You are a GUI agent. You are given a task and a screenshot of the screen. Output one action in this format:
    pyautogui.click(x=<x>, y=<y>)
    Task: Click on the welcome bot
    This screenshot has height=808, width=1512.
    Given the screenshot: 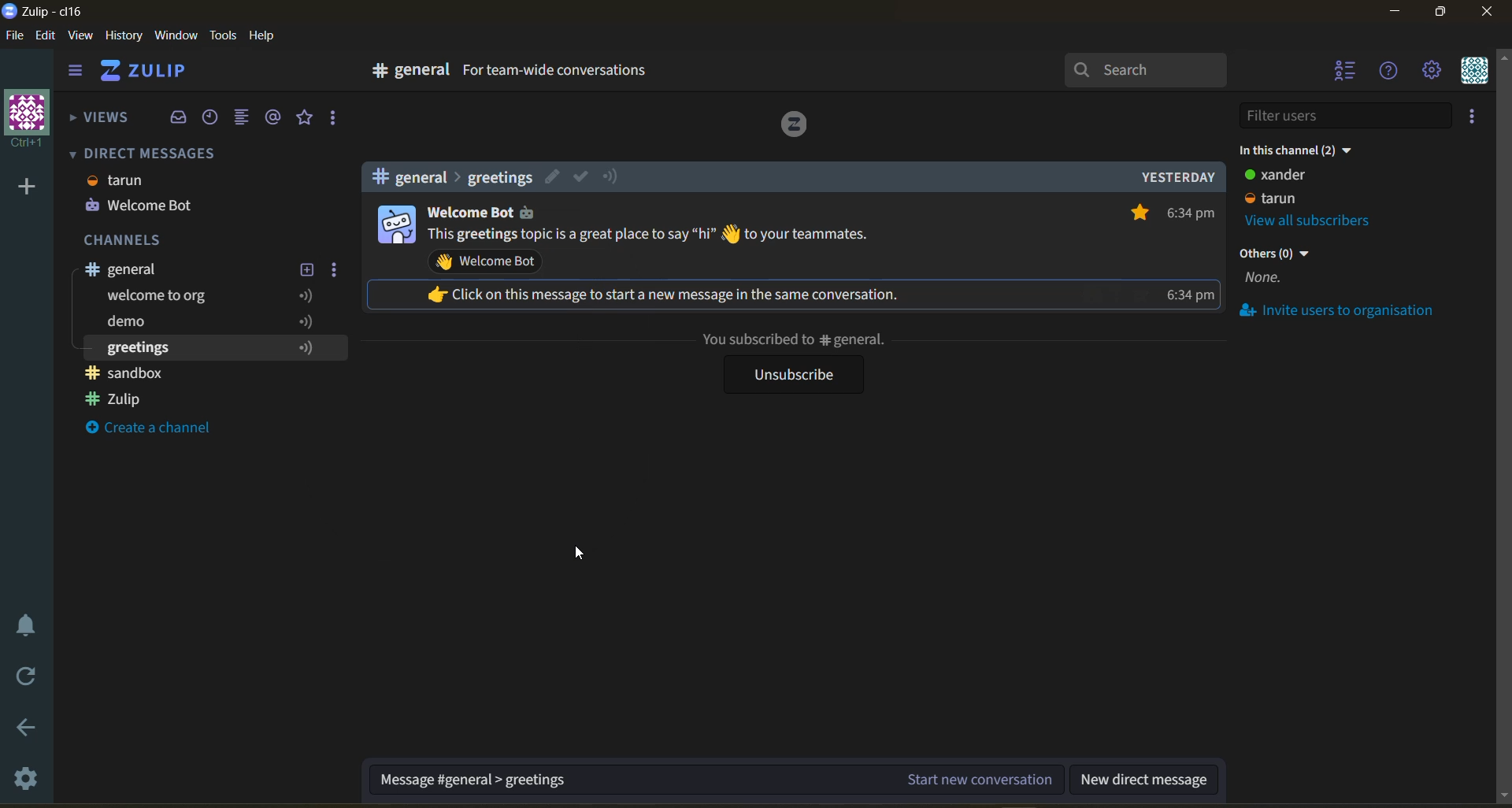 What is the action you would take?
    pyautogui.click(x=141, y=206)
    